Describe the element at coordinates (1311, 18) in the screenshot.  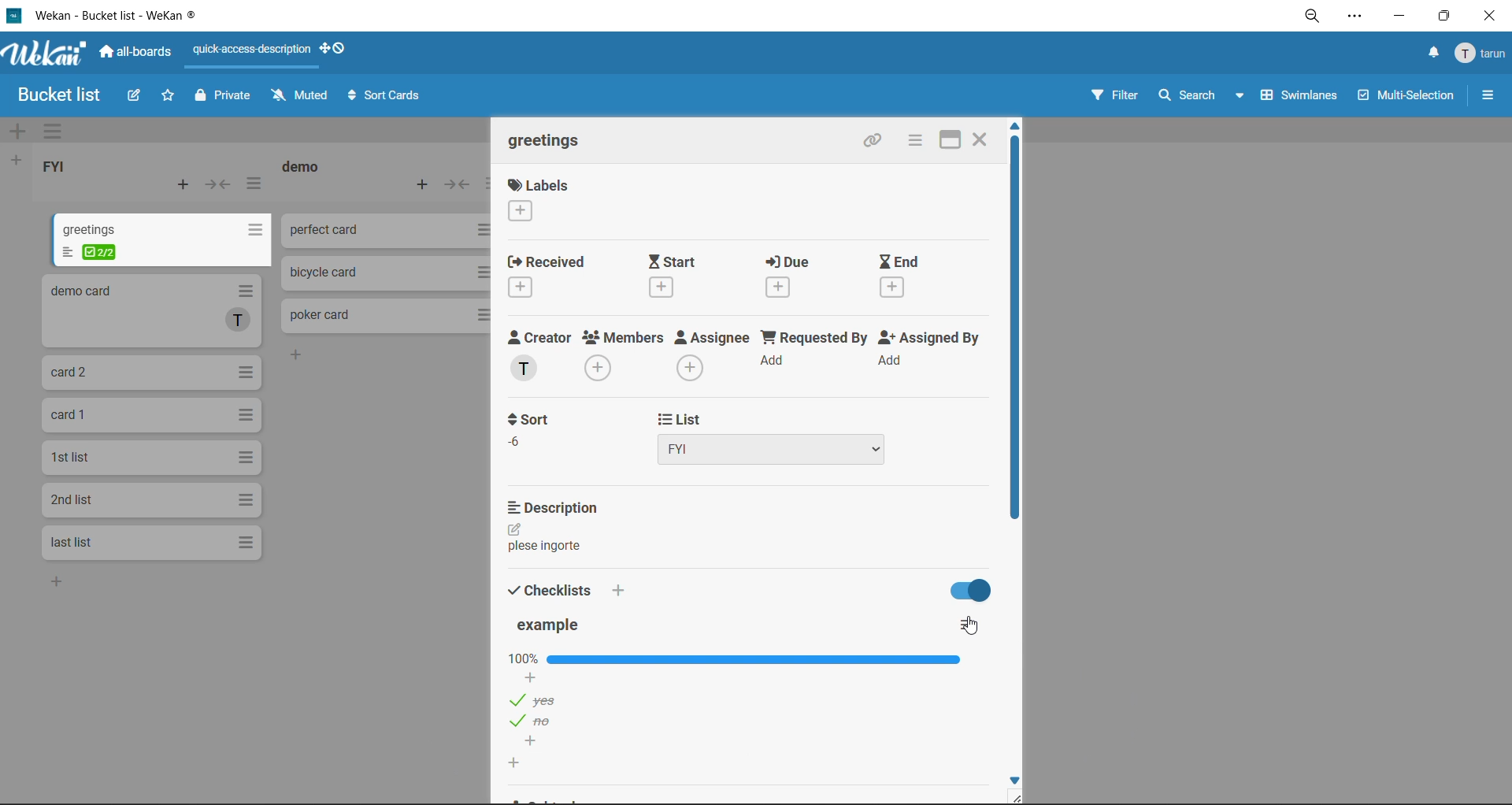
I see `zoom` at that location.